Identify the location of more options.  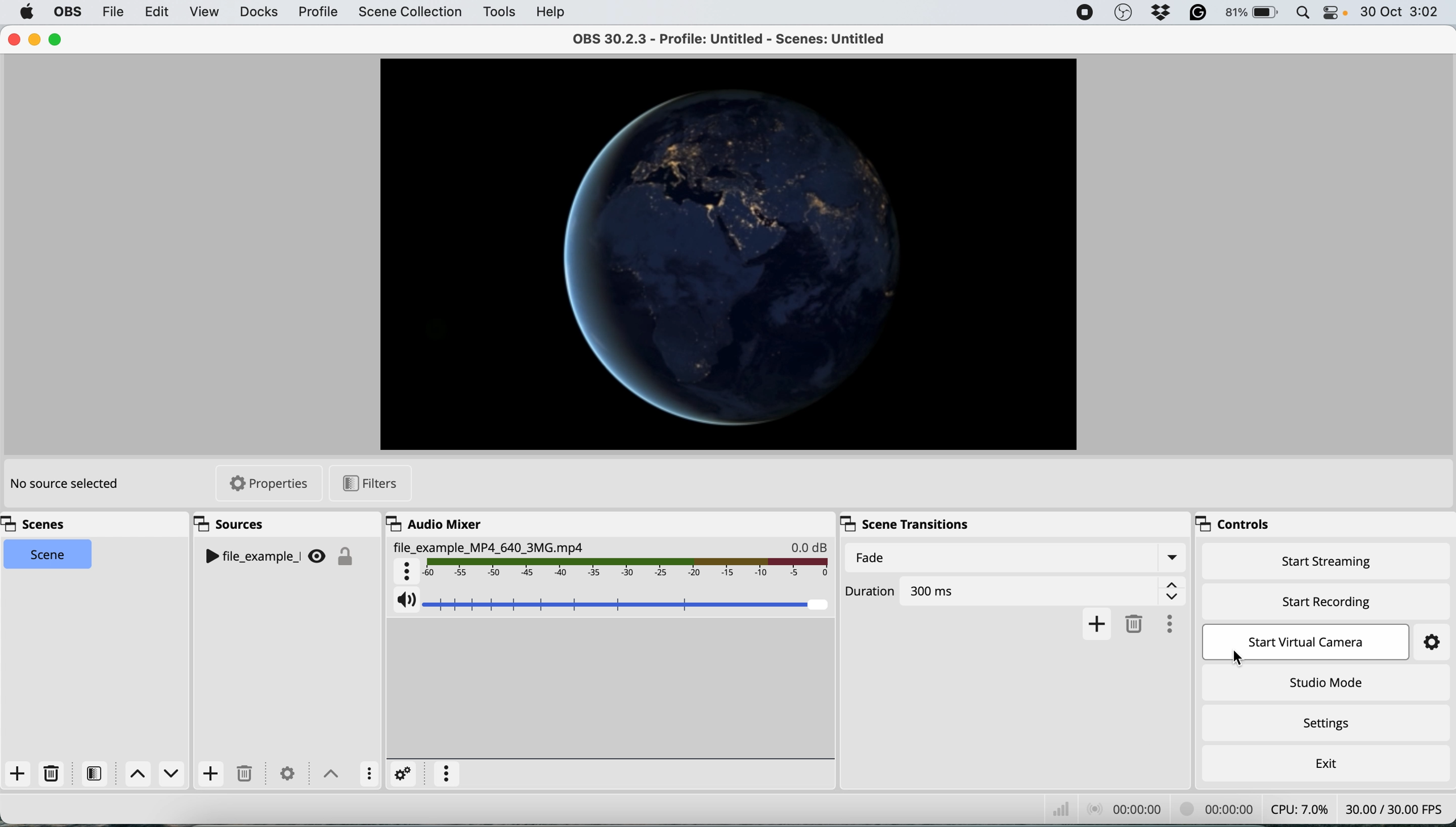
(370, 774).